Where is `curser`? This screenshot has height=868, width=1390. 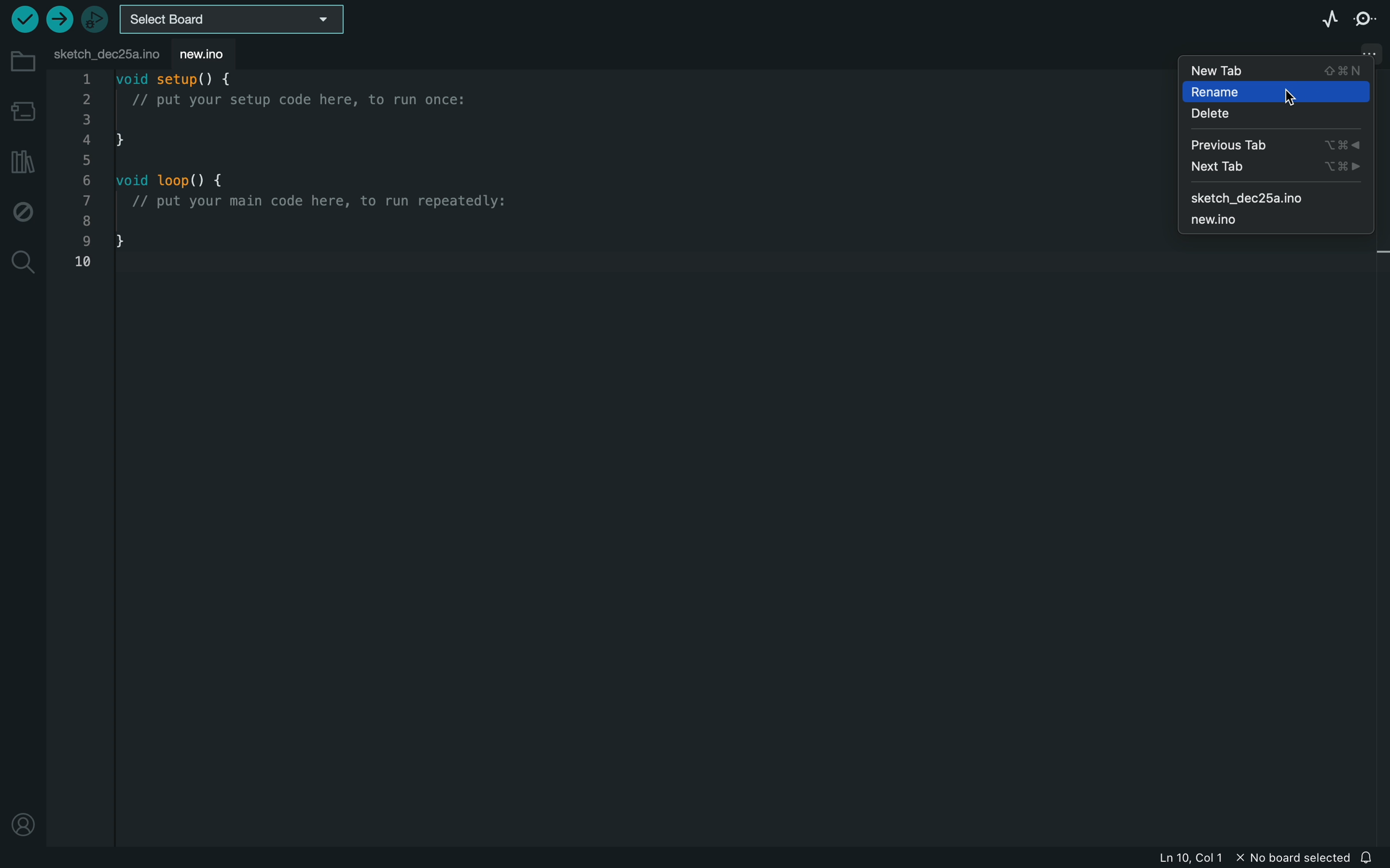 curser is located at coordinates (1288, 95).